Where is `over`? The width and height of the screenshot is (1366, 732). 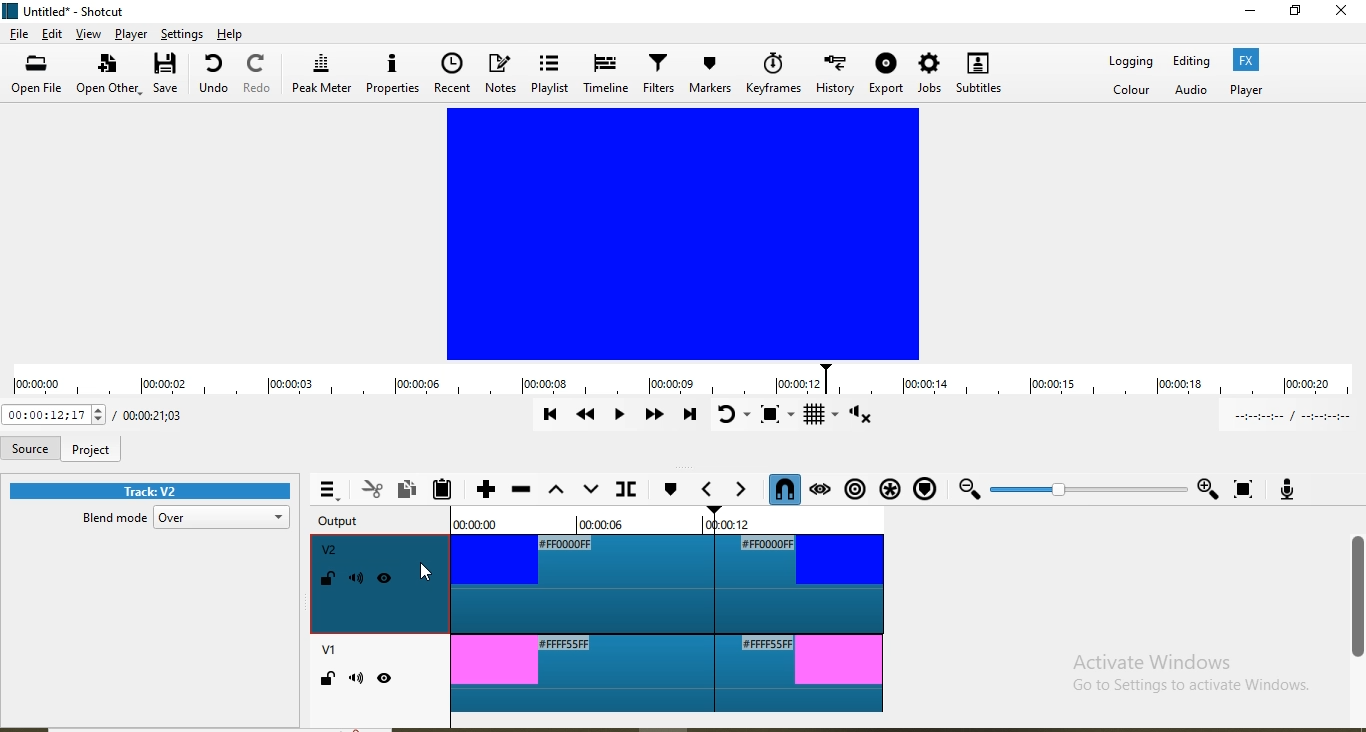
over is located at coordinates (225, 518).